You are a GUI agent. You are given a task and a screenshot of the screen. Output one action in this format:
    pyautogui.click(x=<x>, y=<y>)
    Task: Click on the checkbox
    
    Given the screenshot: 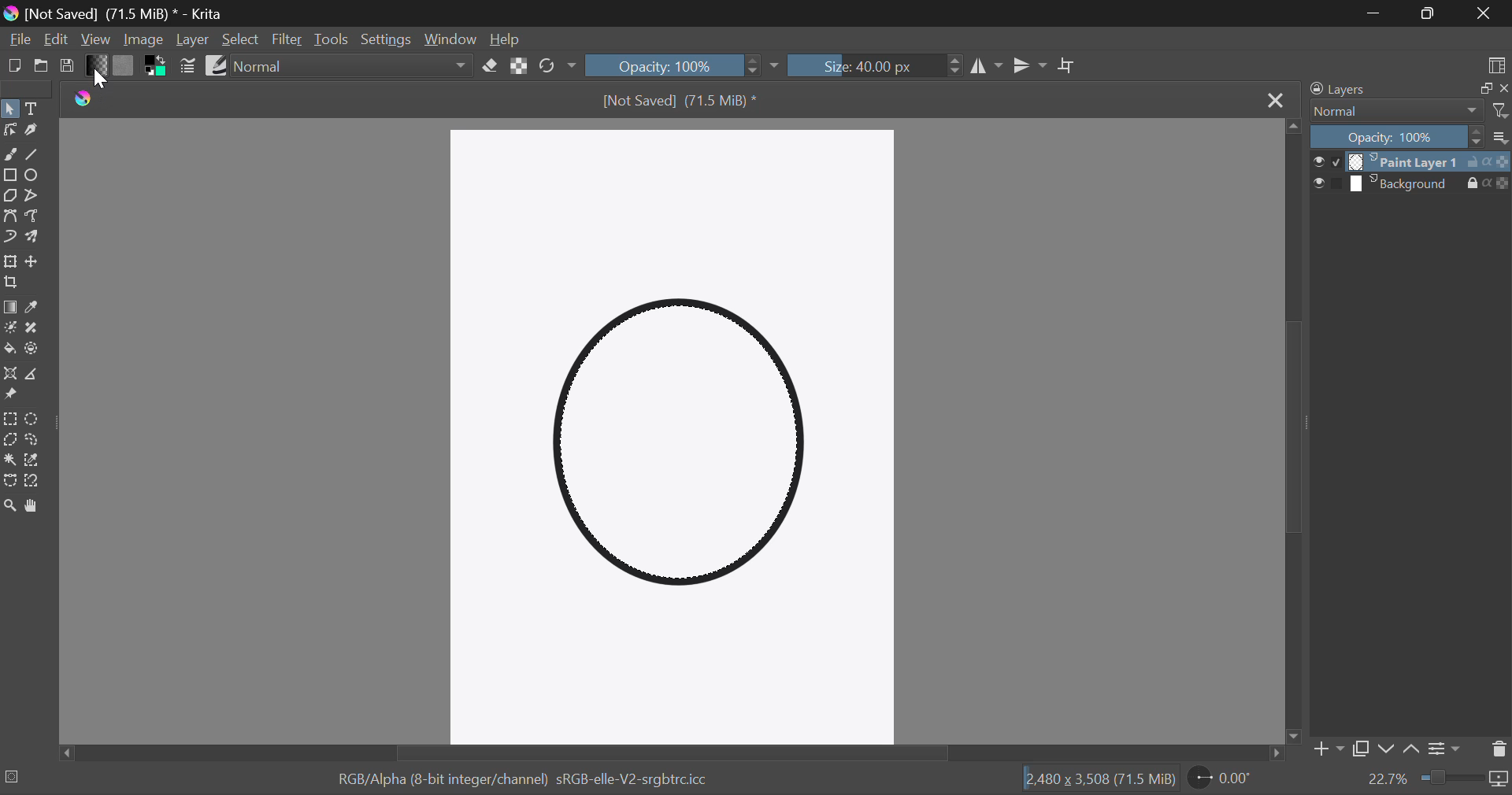 What is the action you would take?
    pyautogui.click(x=1329, y=183)
    